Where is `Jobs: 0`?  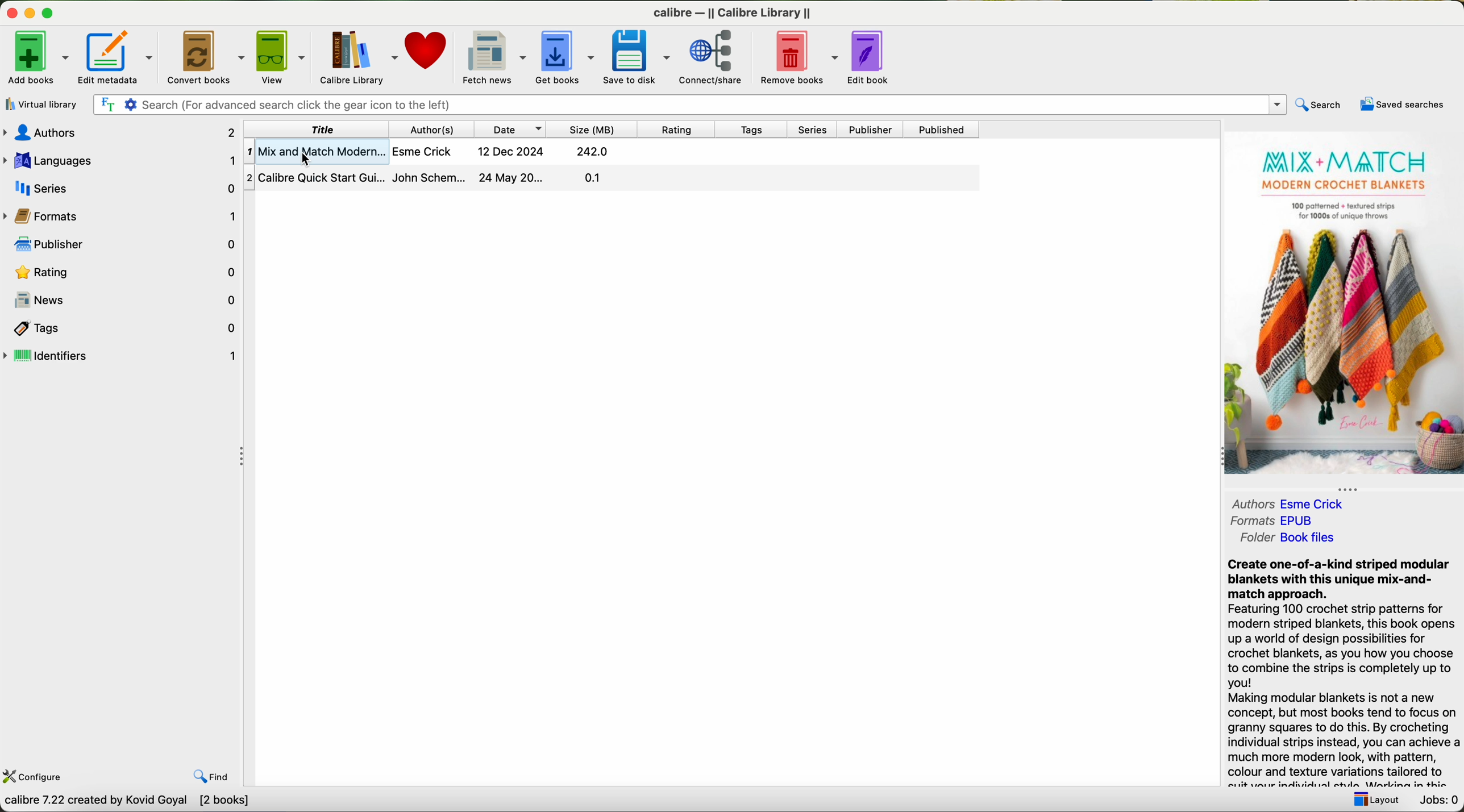 Jobs: 0 is located at coordinates (1437, 800).